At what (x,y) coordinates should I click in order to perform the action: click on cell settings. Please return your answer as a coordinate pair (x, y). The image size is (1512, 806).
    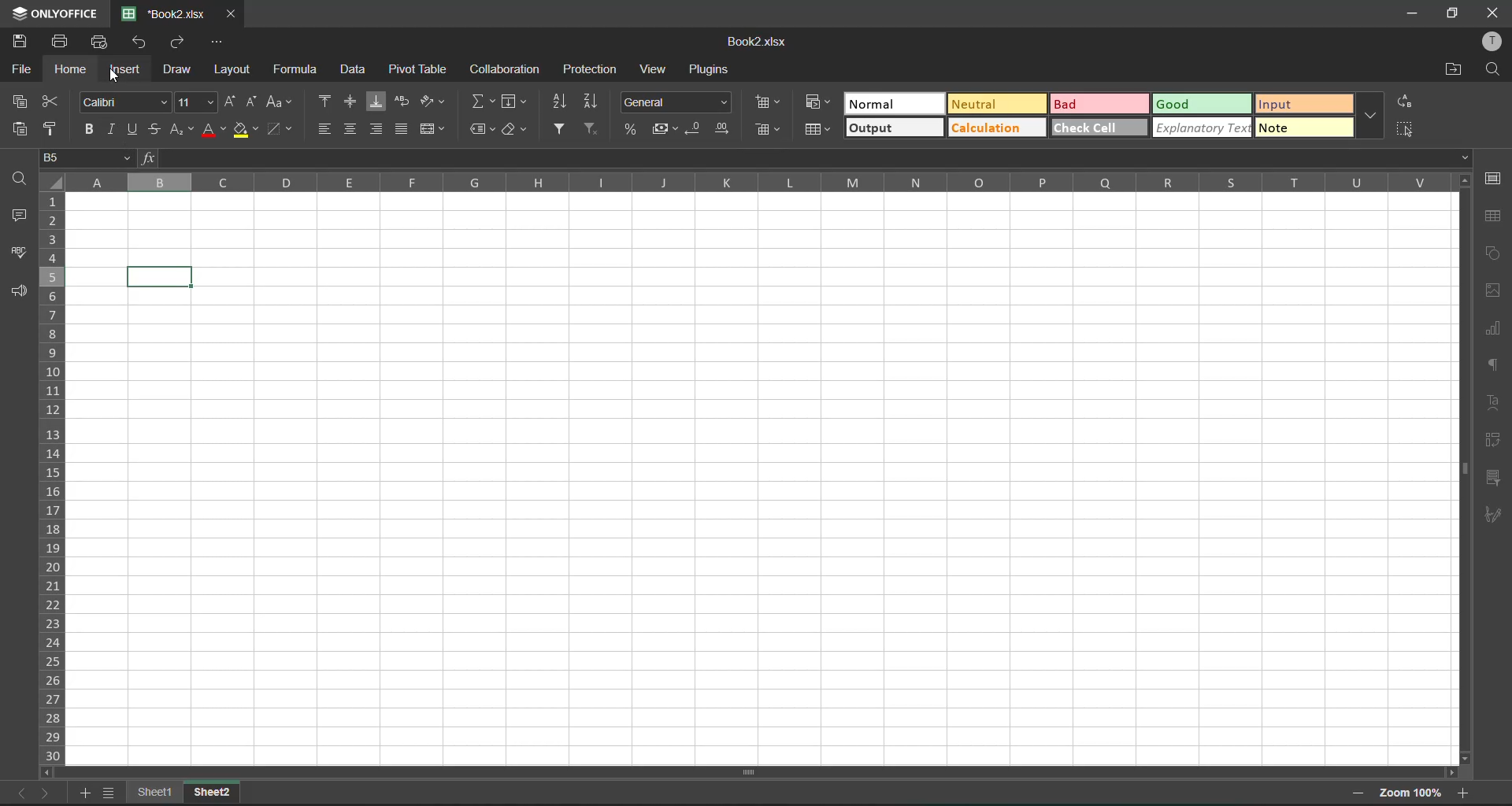
    Looking at the image, I should click on (1495, 179).